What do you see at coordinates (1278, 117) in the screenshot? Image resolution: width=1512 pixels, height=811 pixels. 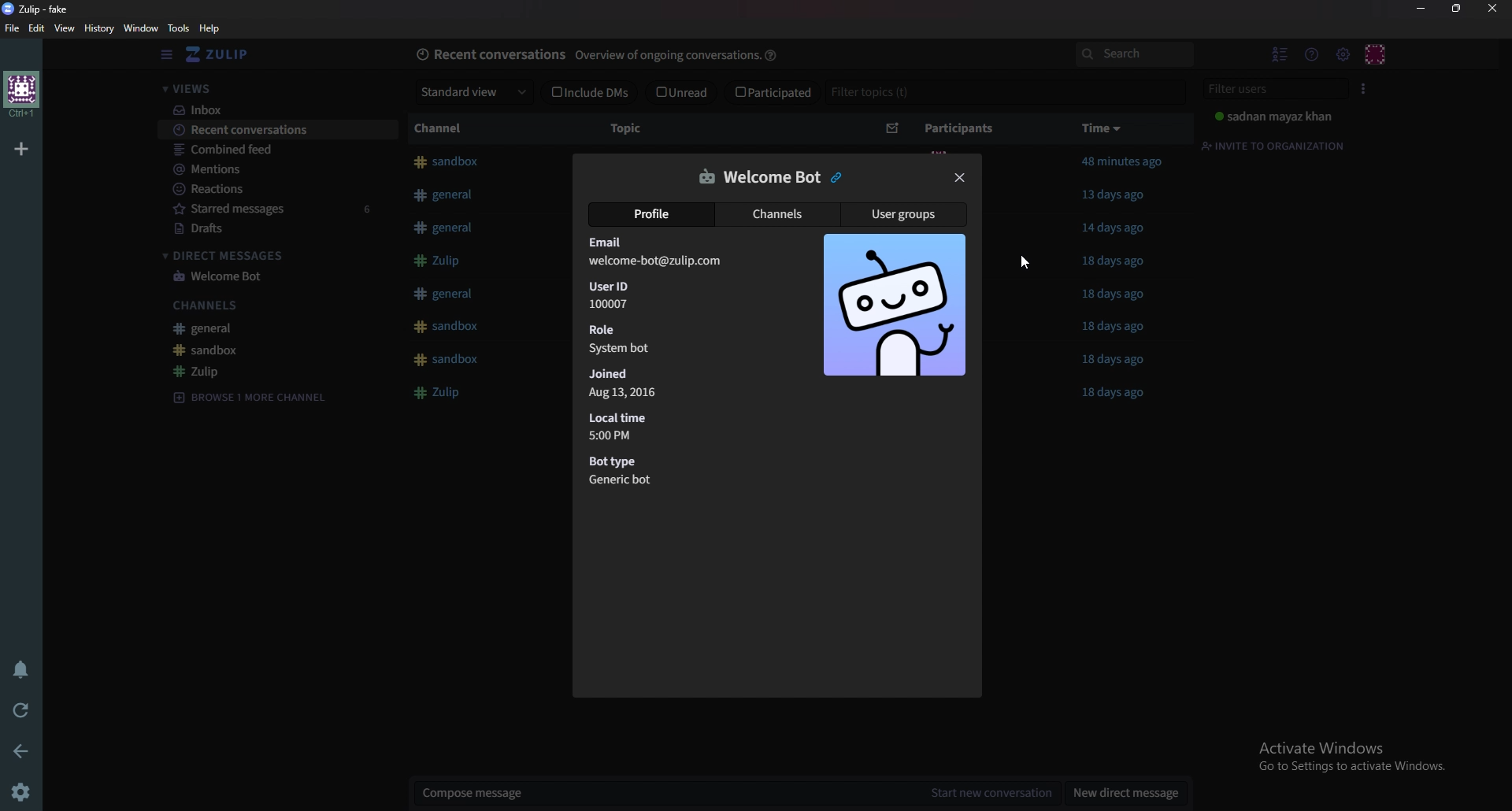 I see `Sadnan mayaz khan` at bounding box center [1278, 117].